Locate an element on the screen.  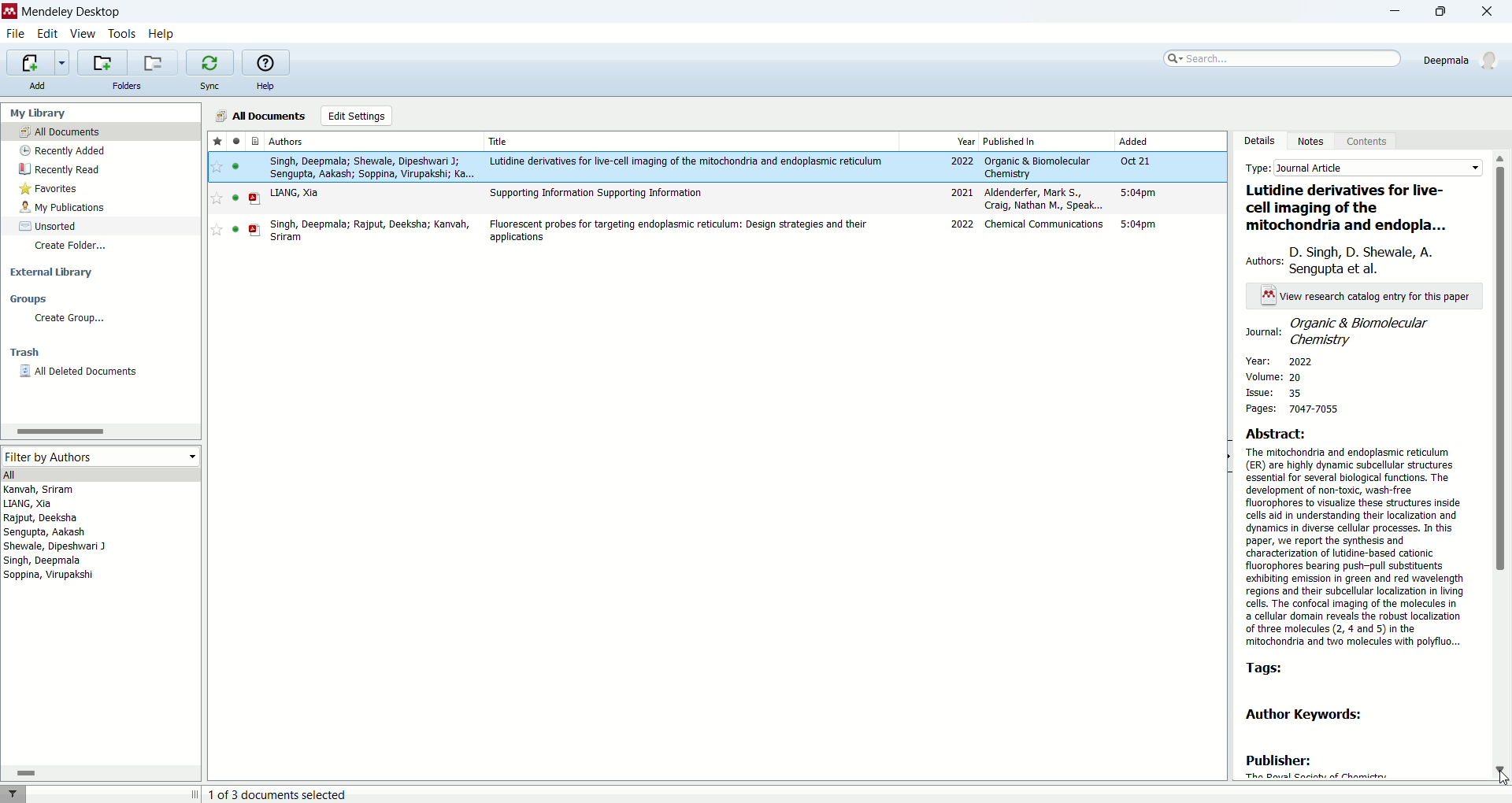
imports is located at coordinates (37, 63).